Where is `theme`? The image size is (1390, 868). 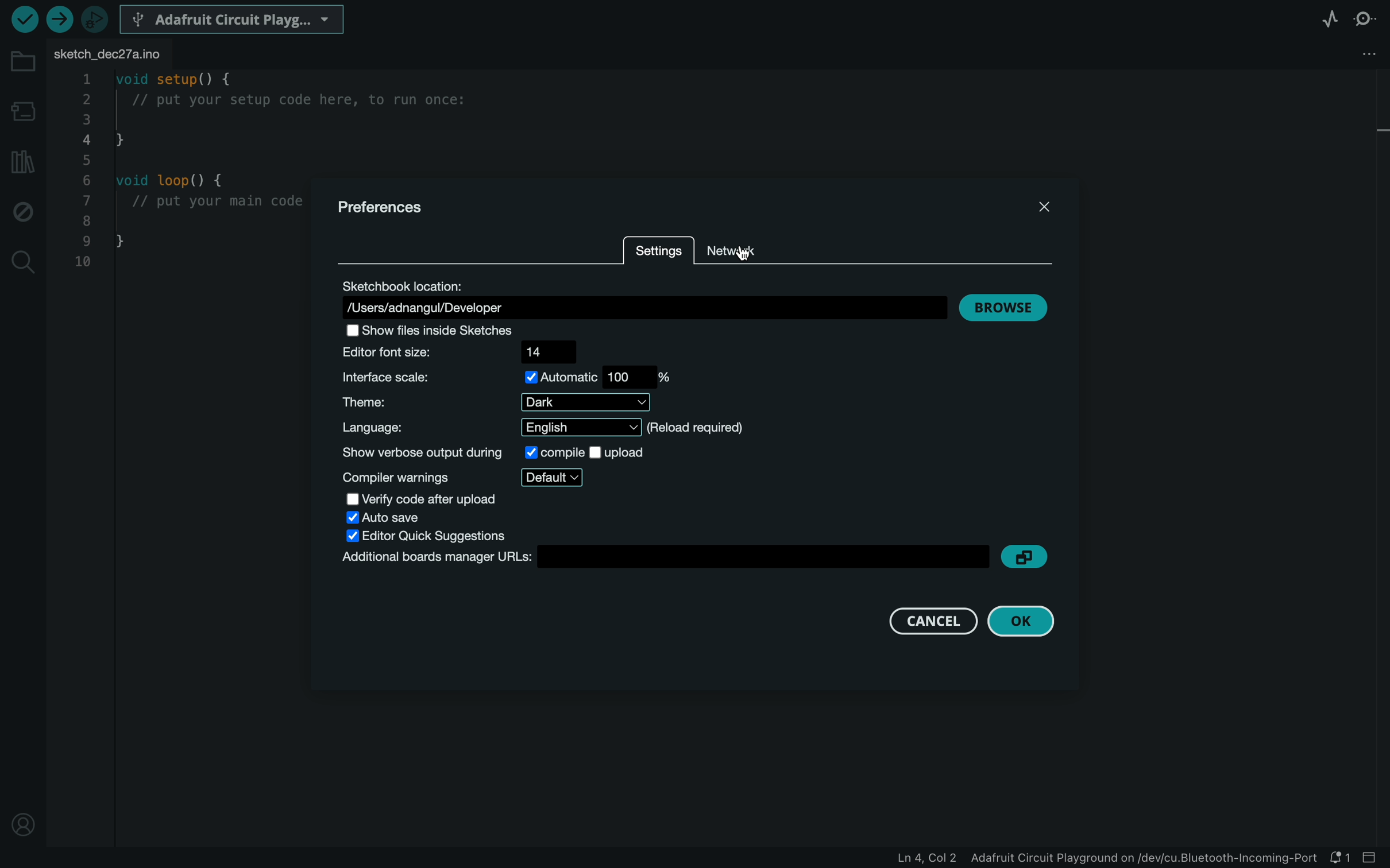 theme is located at coordinates (487, 403).